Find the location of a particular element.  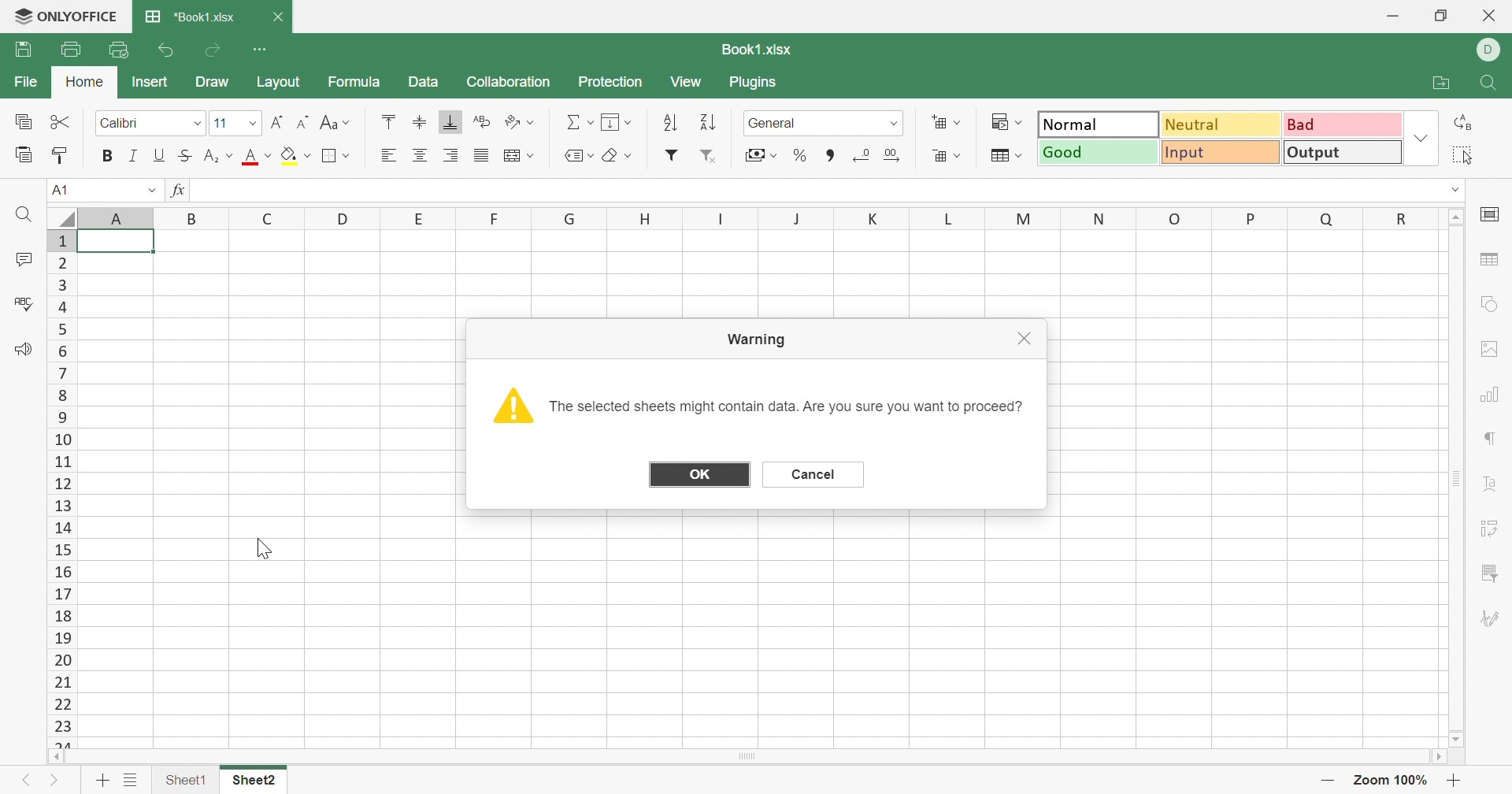

Drop Down is located at coordinates (963, 155).